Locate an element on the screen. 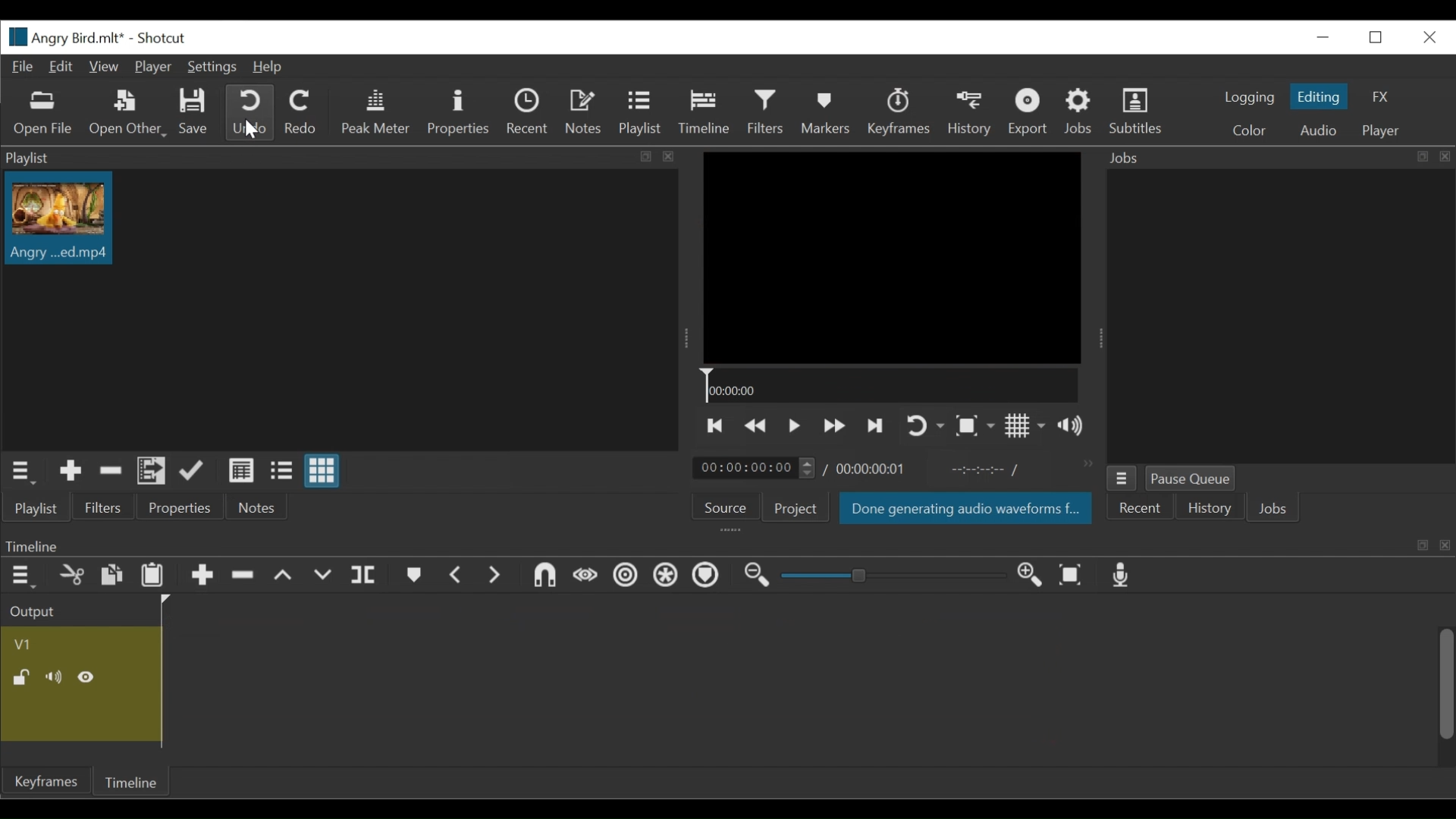 Image resolution: width=1456 pixels, height=819 pixels. Close is located at coordinates (1428, 38).